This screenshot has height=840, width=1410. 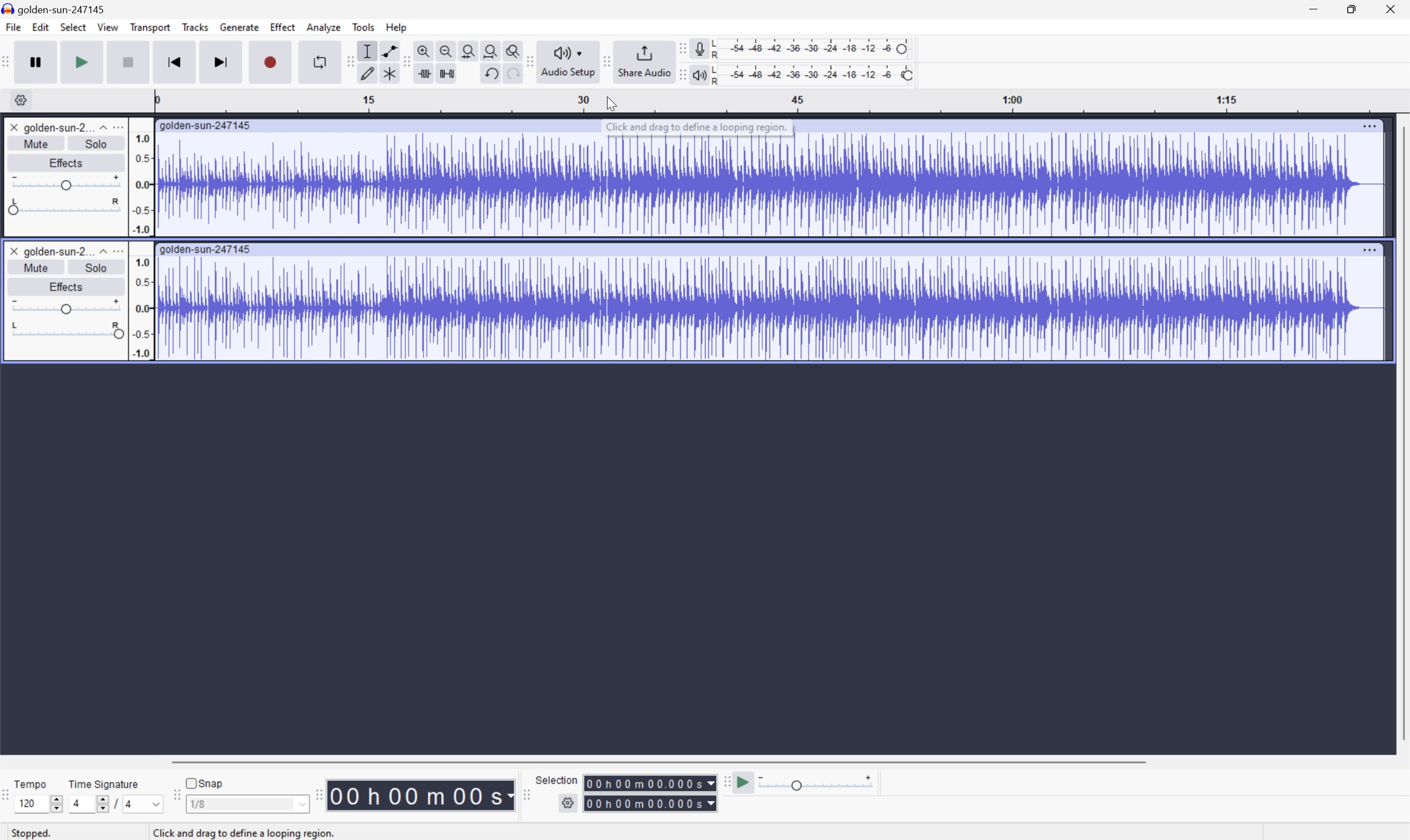 What do you see at coordinates (448, 73) in the screenshot?
I see `Silence audio selection` at bounding box center [448, 73].